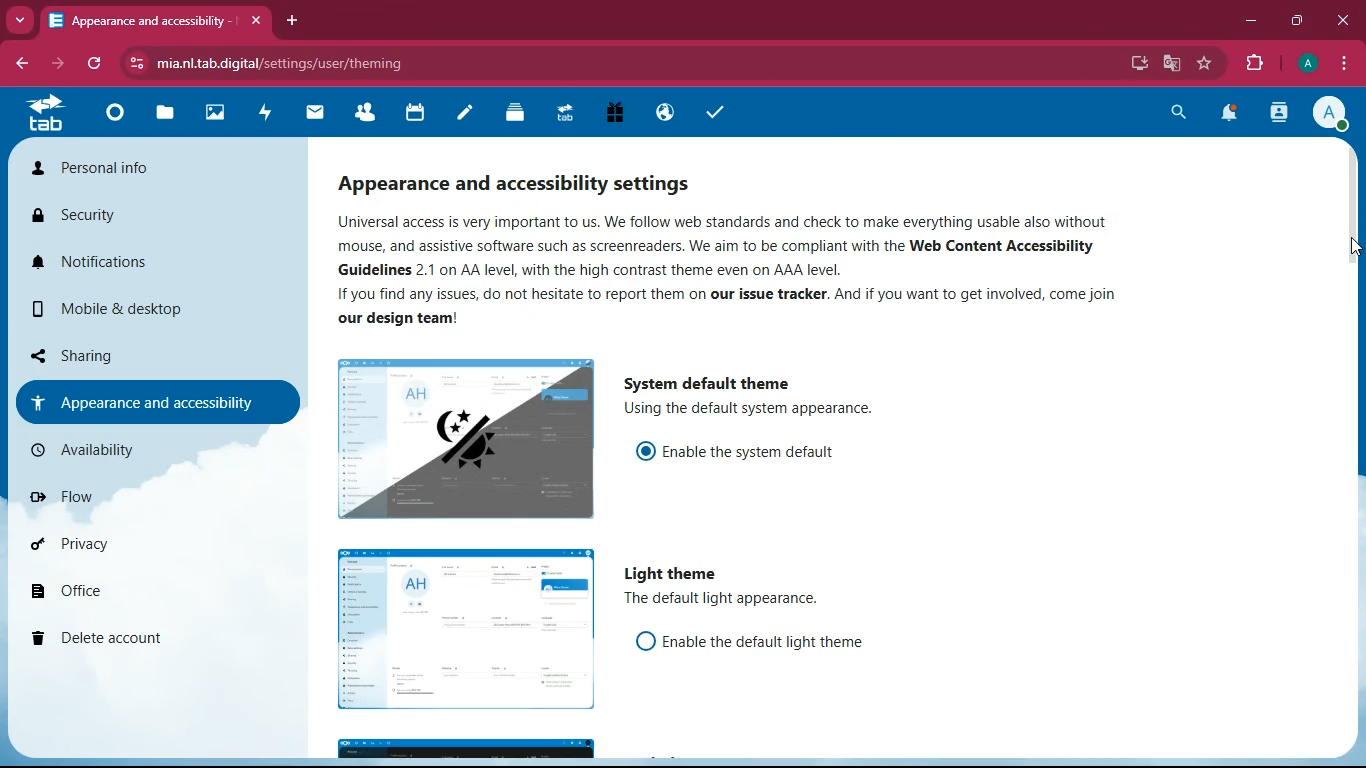 The height and width of the screenshot is (768, 1366). Describe the element at coordinates (138, 594) in the screenshot. I see `office` at that location.